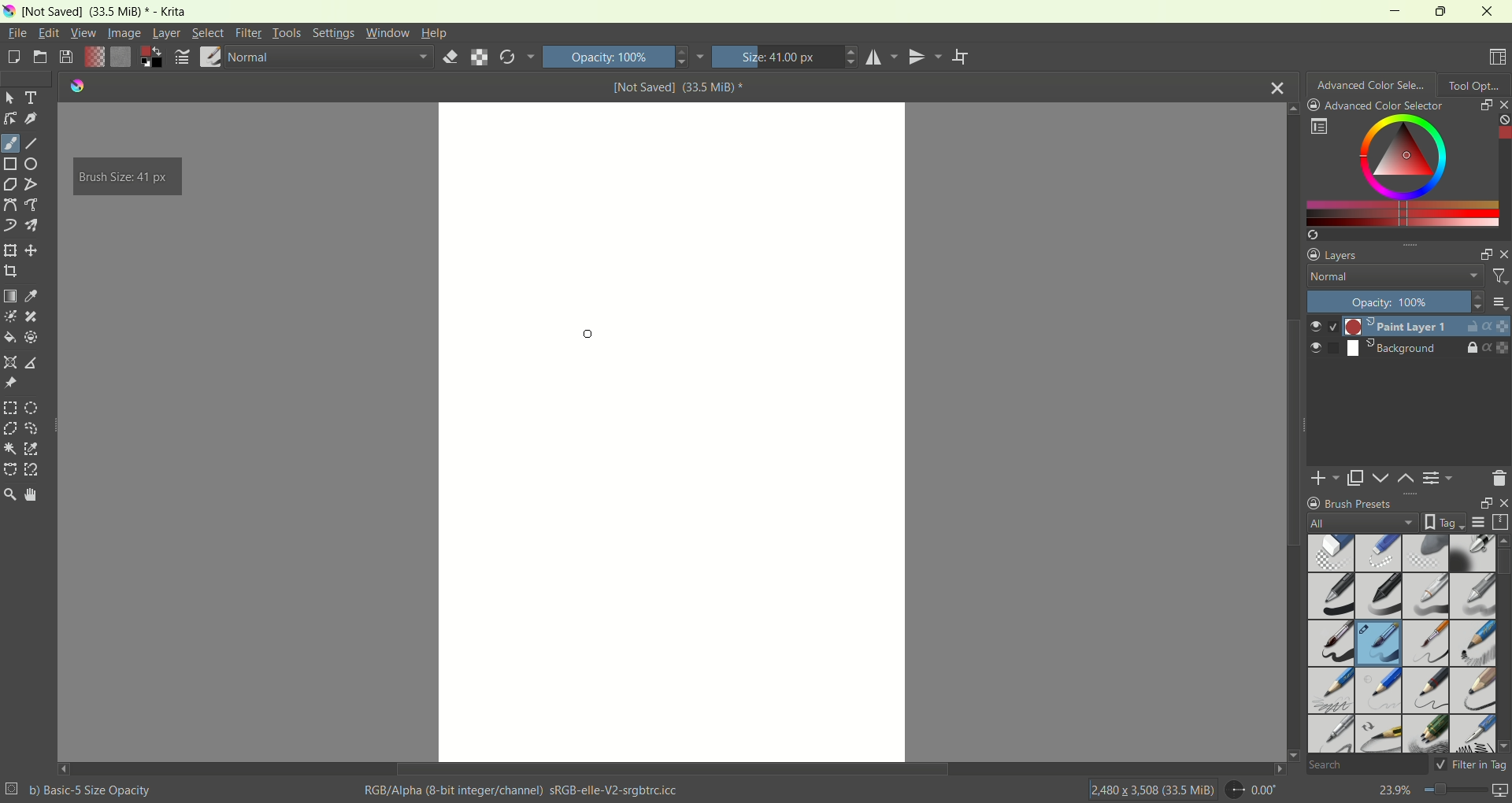 This screenshot has height=803, width=1512. I want to click on normal, so click(328, 60).